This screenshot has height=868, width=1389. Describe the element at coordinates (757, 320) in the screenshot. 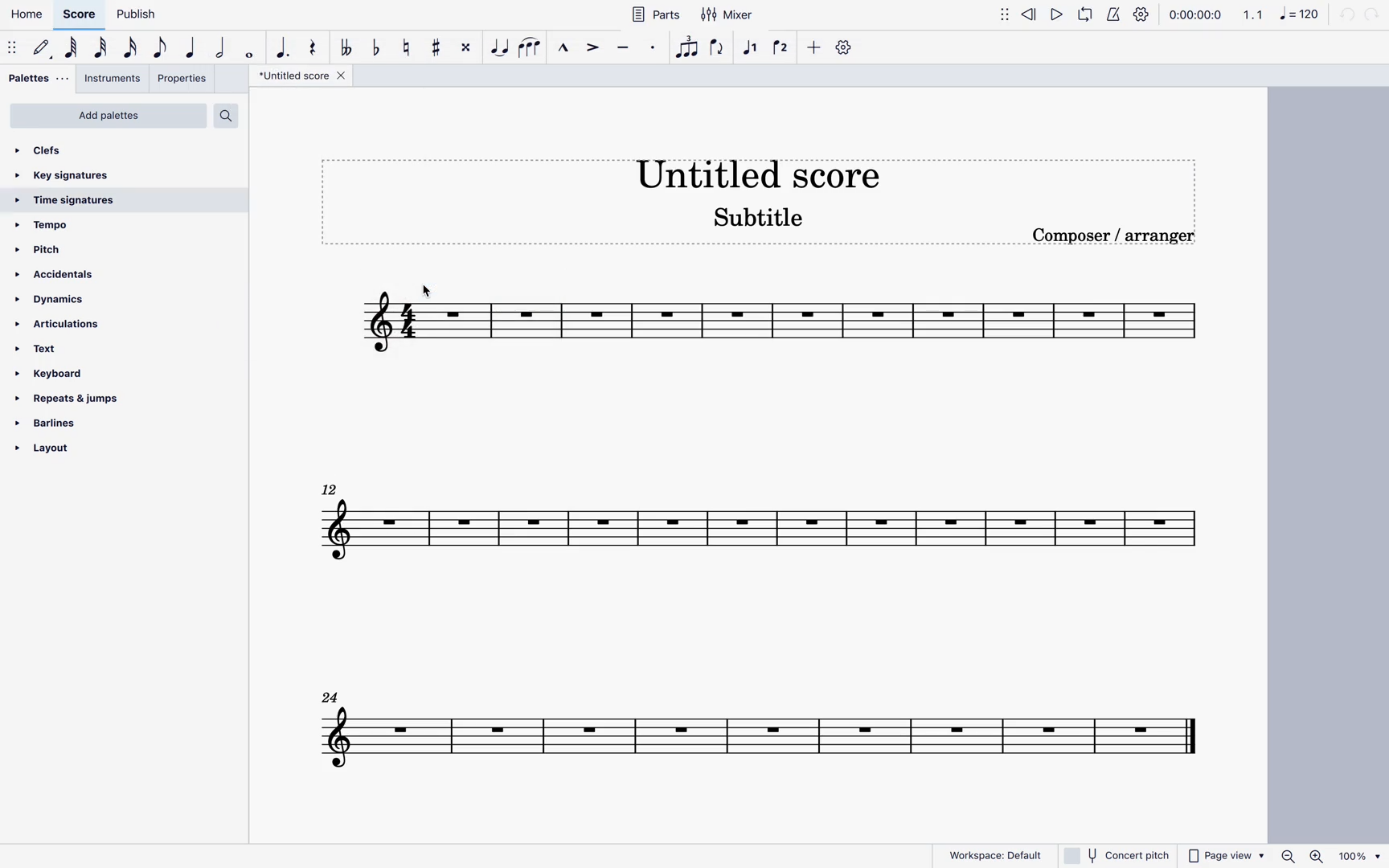

I see `score` at that location.